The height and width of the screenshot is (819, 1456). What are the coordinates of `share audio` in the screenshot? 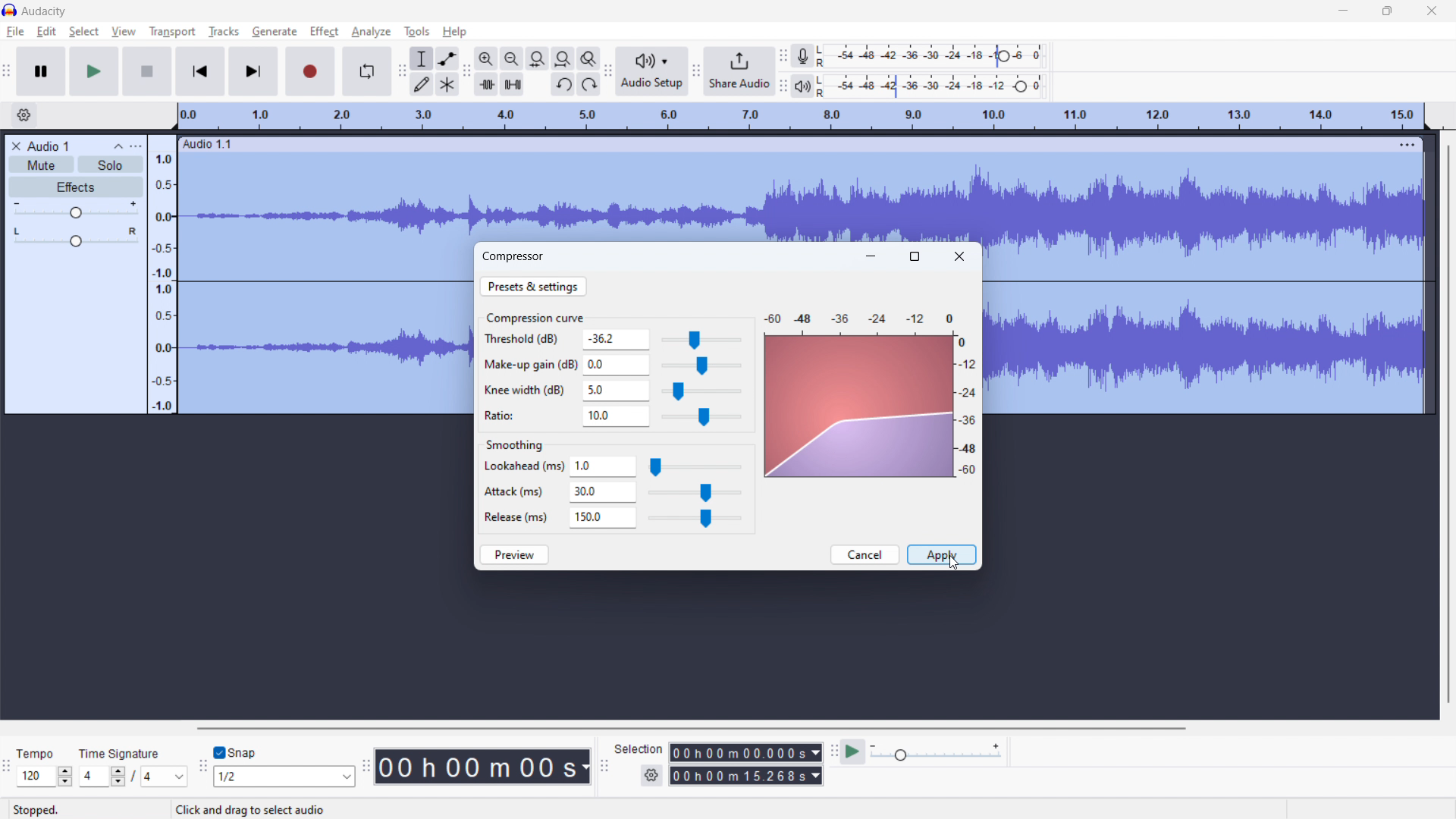 It's located at (739, 70).